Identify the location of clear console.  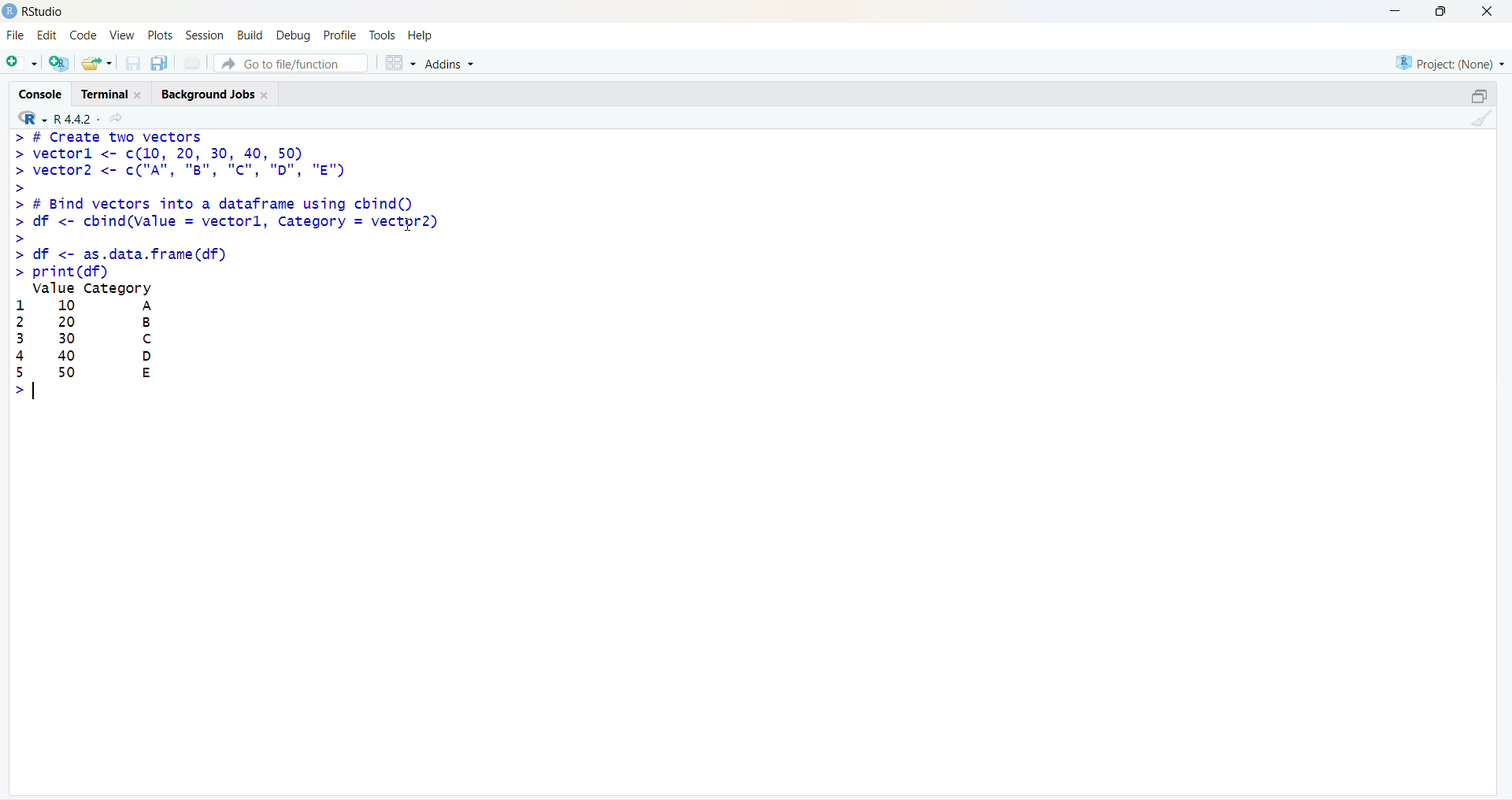
(1481, 119).